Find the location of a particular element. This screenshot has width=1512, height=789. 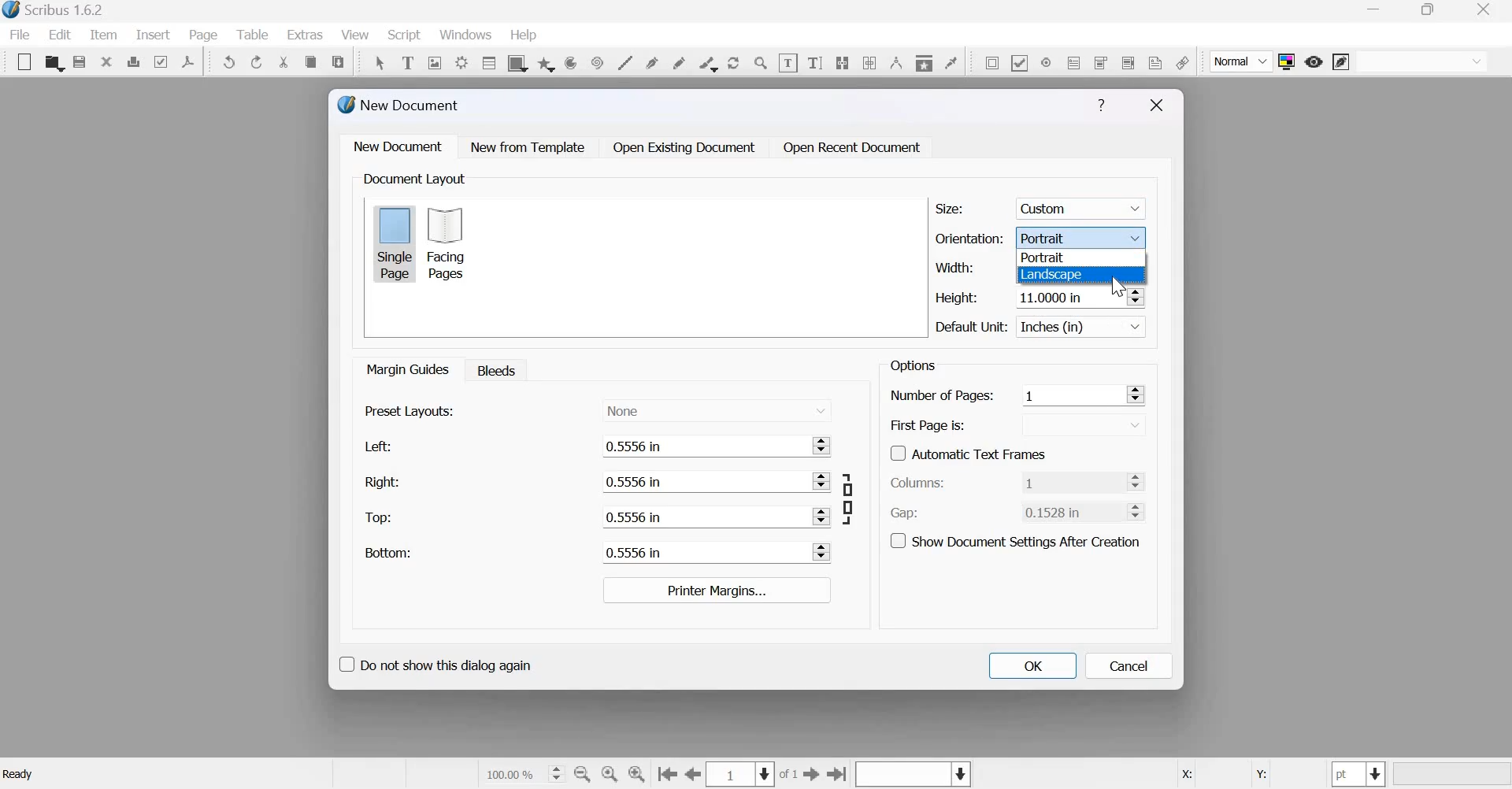

PDF combo box is located at coordinates (1099, 62).